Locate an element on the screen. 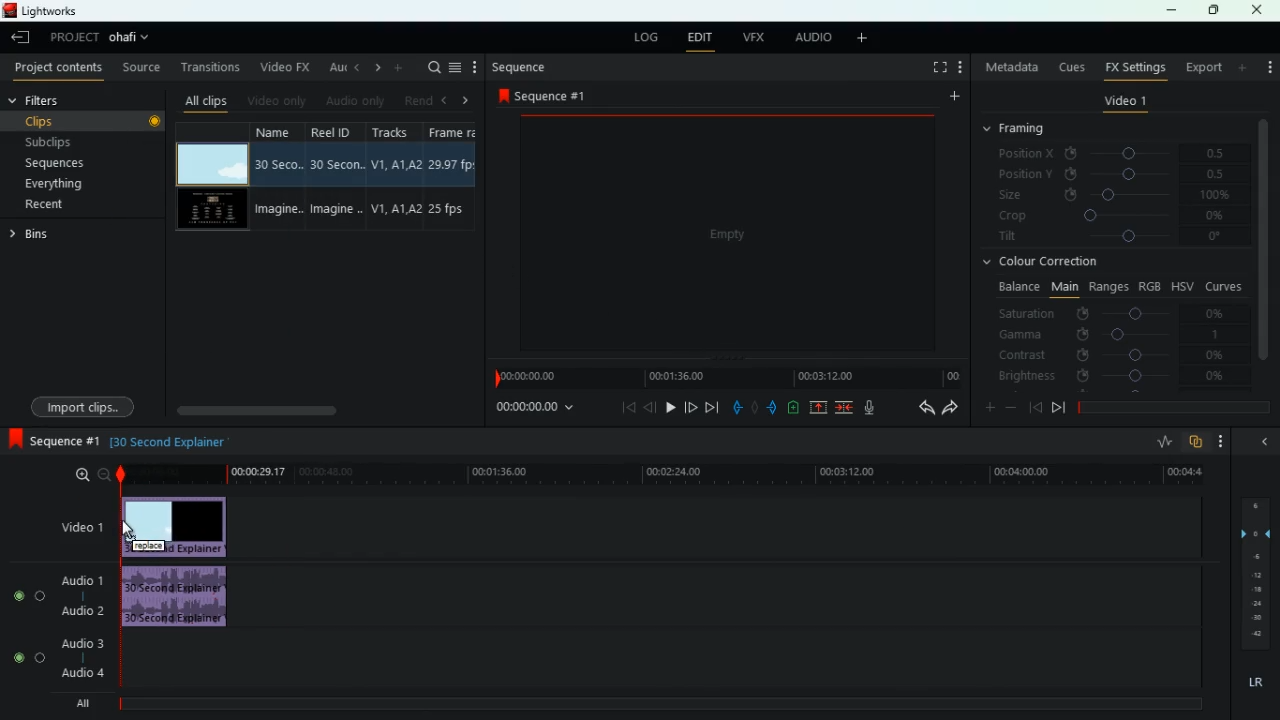 This screenshot has height=720, width=1280. gamma is located at coordinates (1110, 334).